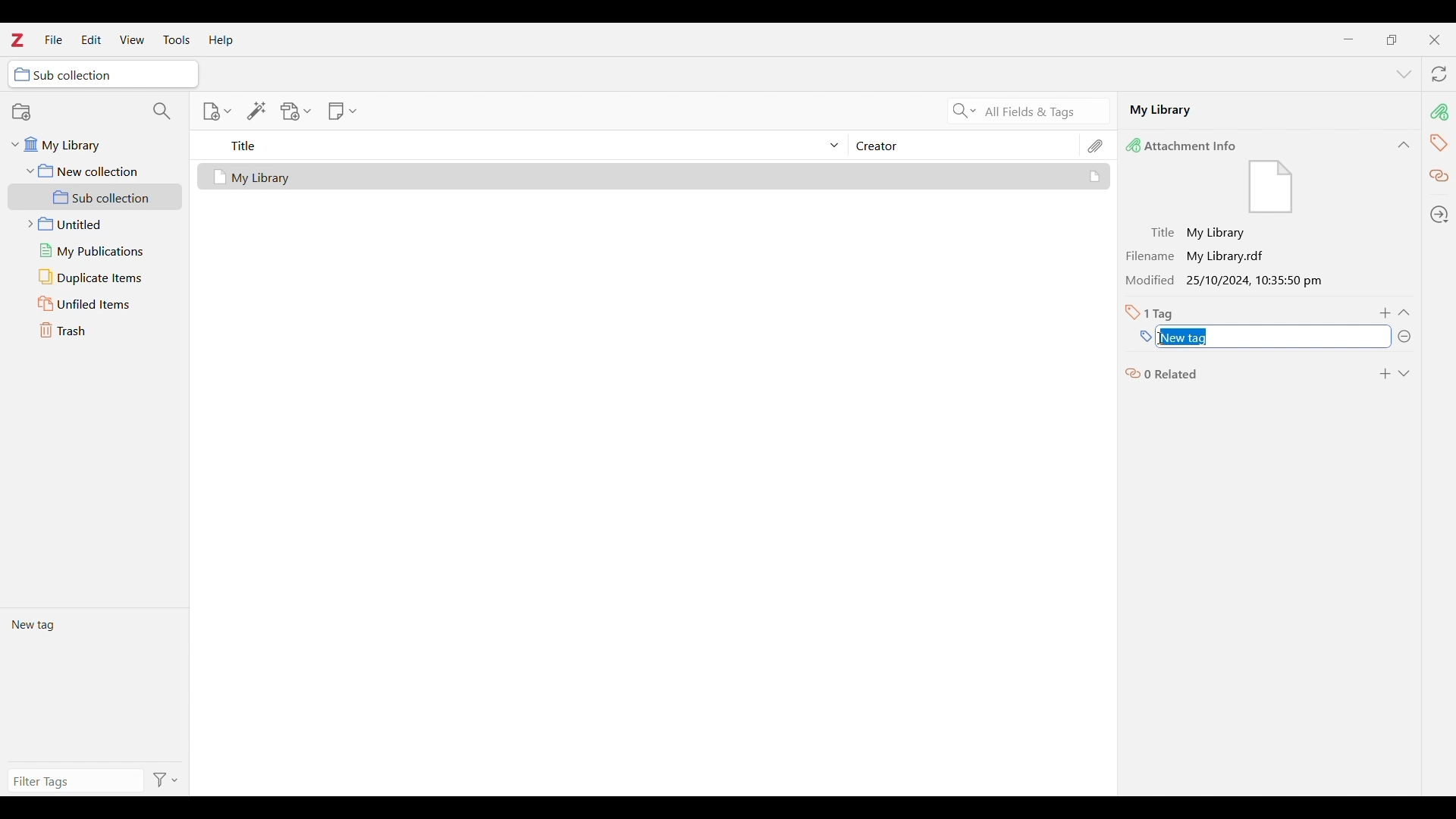 The width and height of the screenshot is (1456, 819). I want to click on New collection folder, so click(96, 171).